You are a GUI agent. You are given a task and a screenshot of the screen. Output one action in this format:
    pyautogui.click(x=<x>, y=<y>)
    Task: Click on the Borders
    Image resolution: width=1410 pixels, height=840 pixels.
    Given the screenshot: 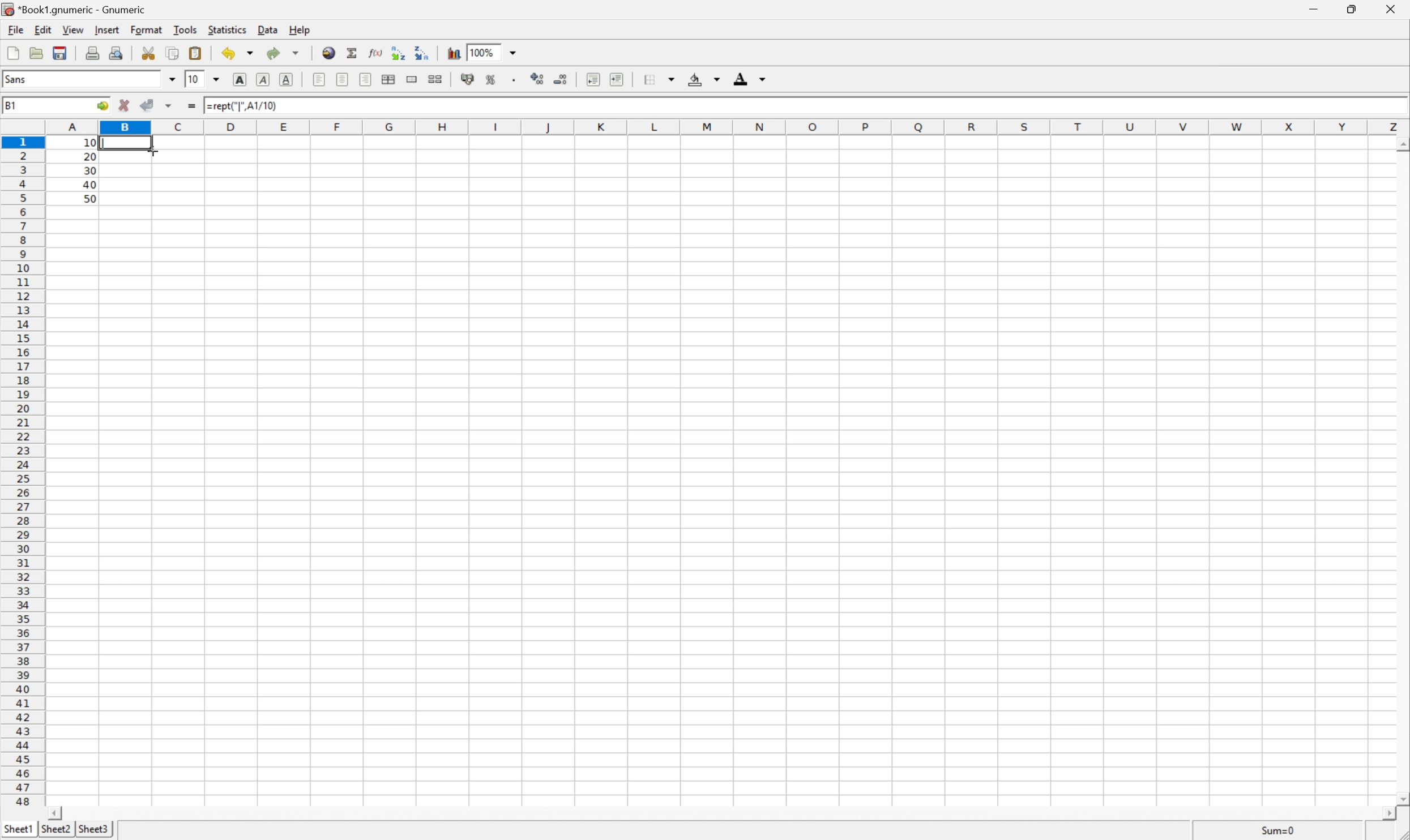 What is the action you would take?
    pyautogui.click(x=659, y=79)
    